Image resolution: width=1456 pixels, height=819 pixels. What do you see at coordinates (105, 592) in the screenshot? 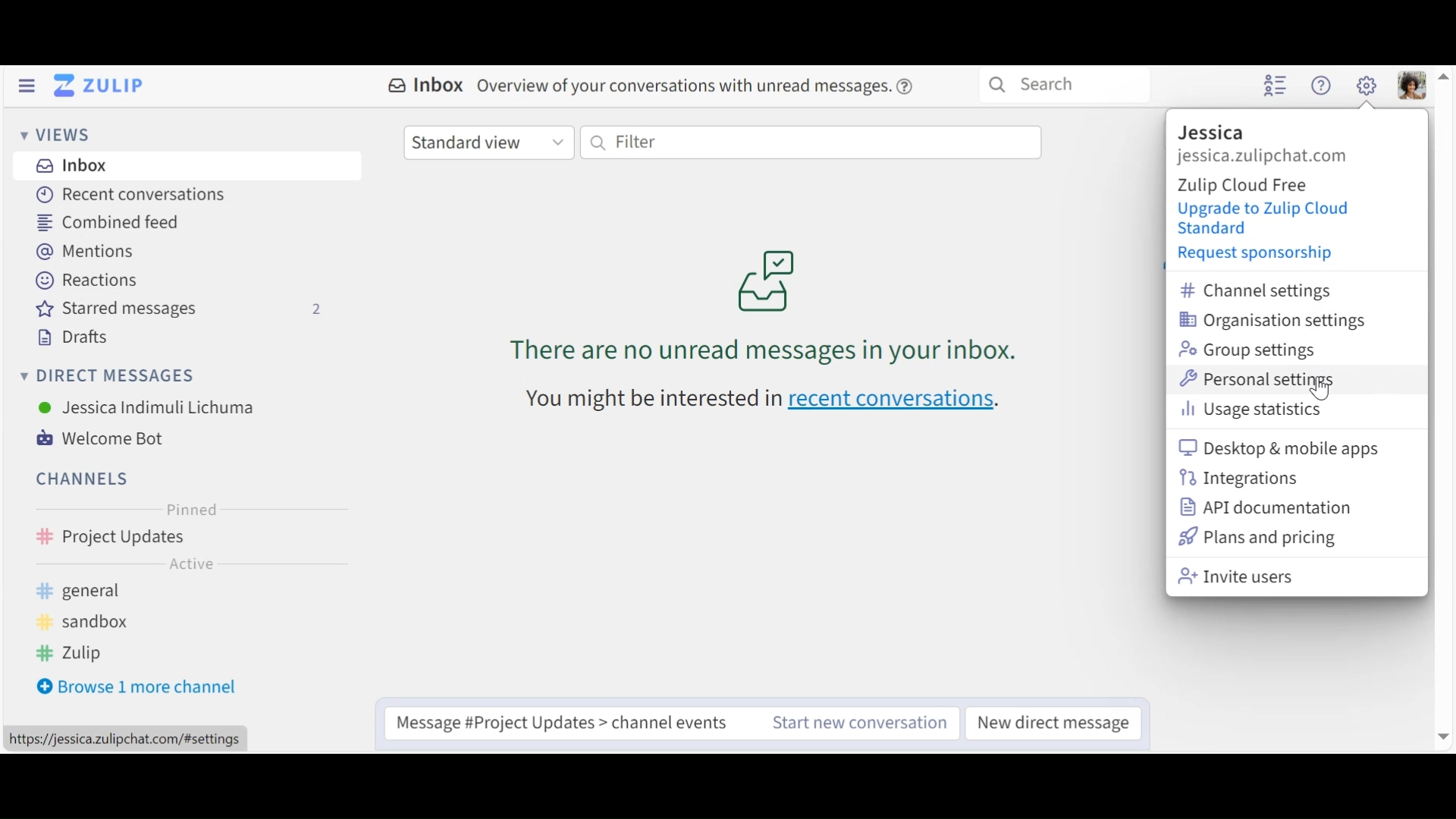
I see `general` at bounding box center [105, 592].